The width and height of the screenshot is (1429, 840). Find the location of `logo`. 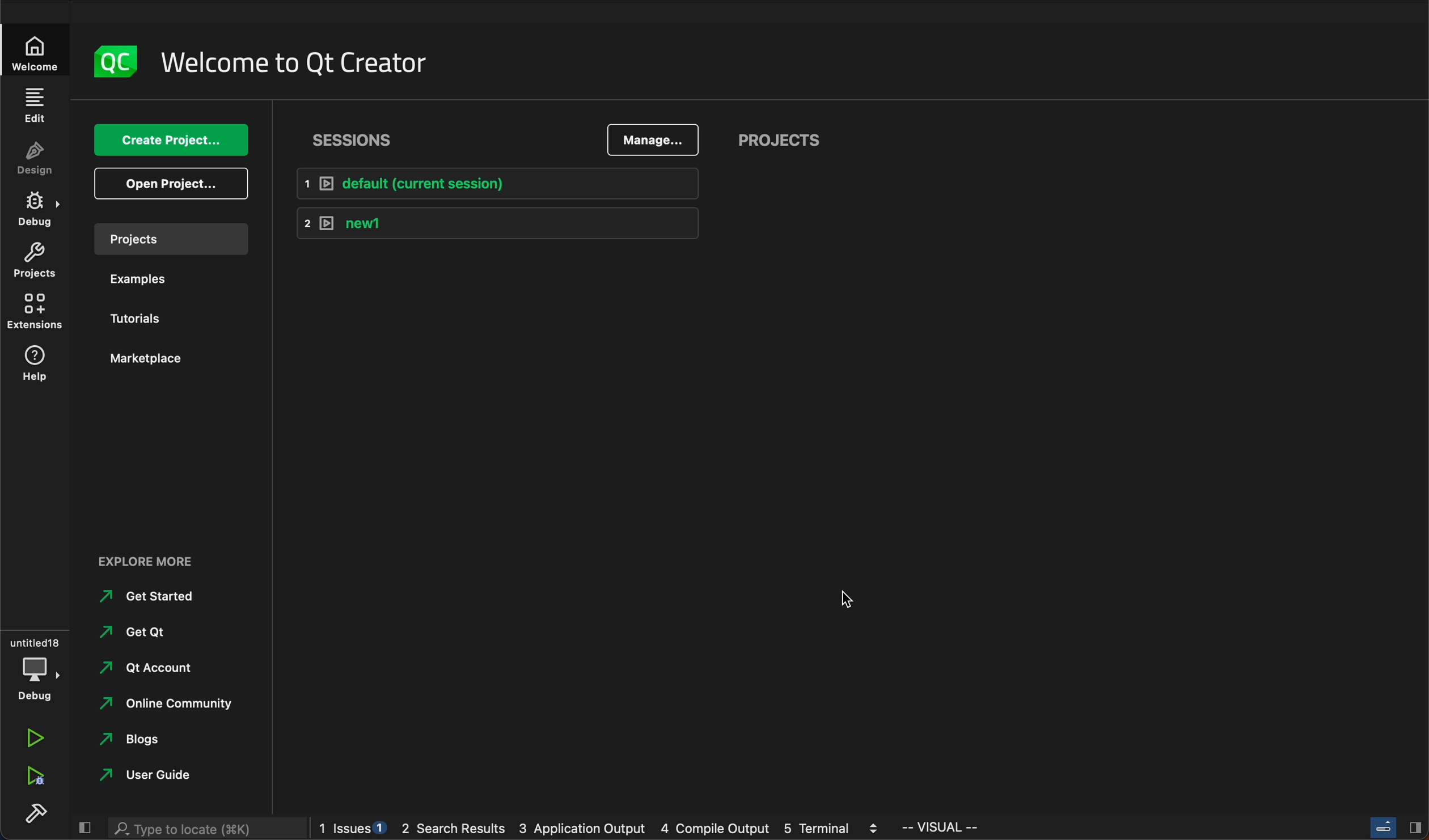

logo is located at coordinates (113, 58).